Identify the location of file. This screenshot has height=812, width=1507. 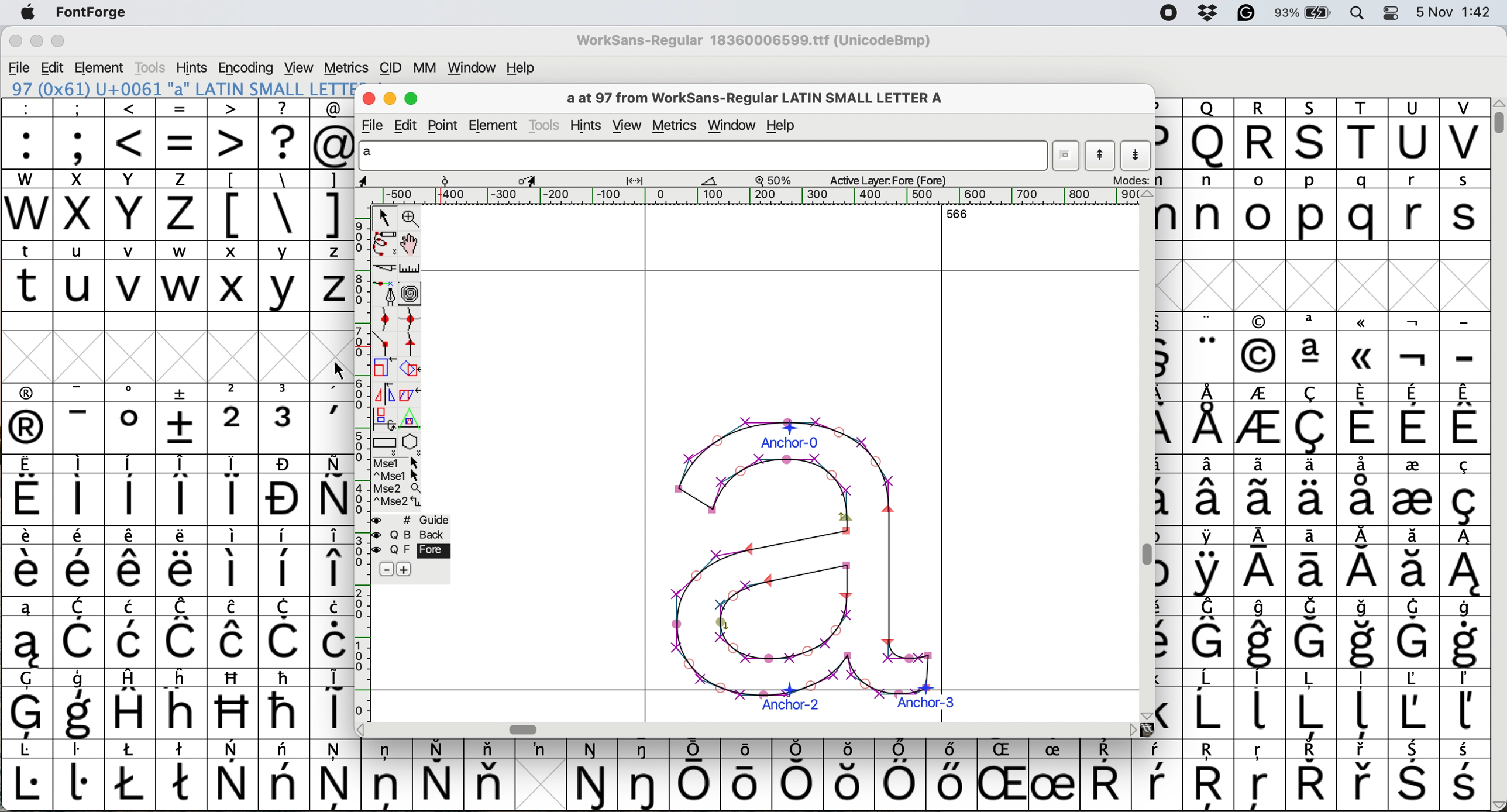
(20, 68).